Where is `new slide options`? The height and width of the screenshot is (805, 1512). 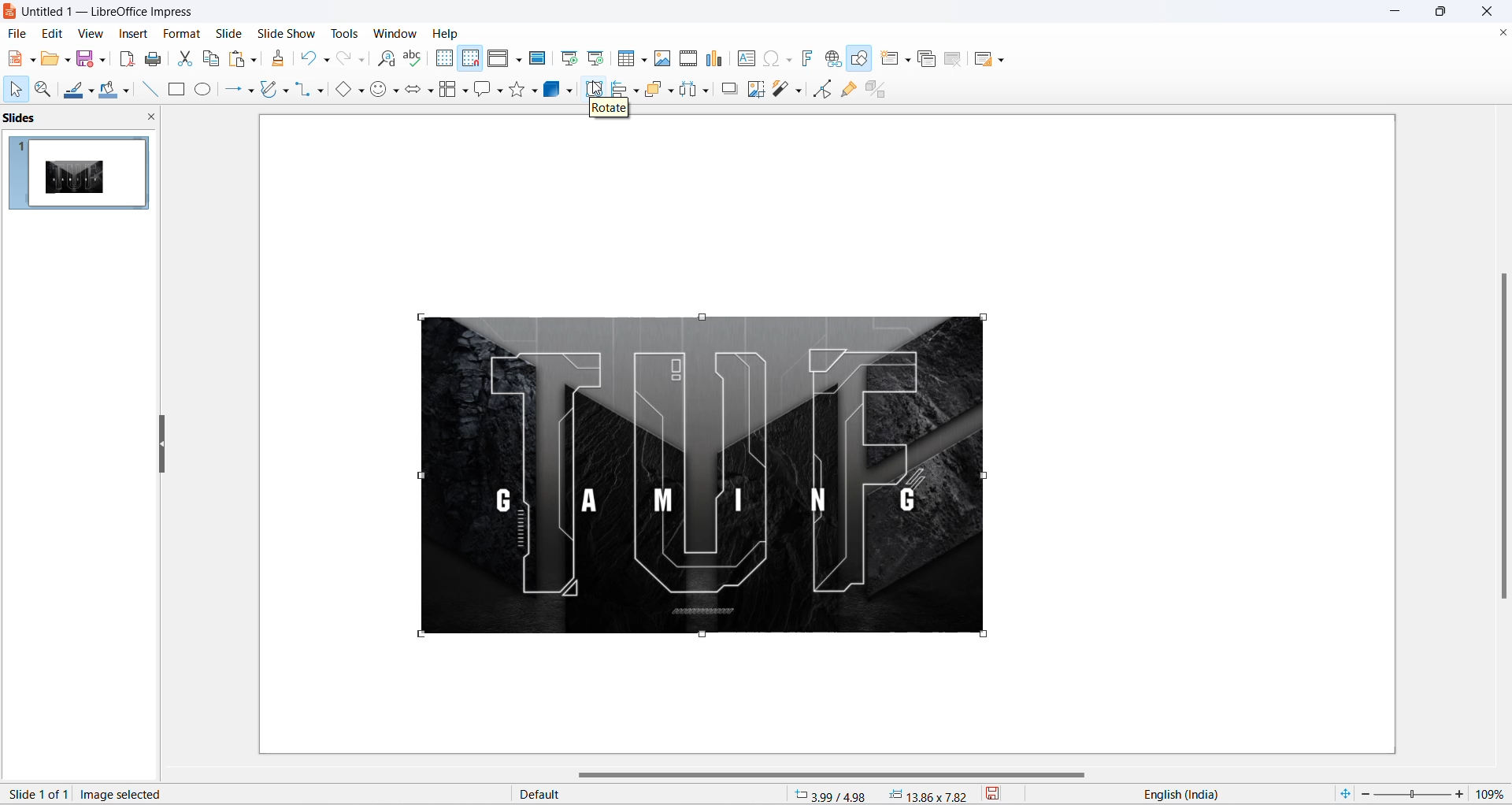 new slide options is located at coordinates (910, 60).